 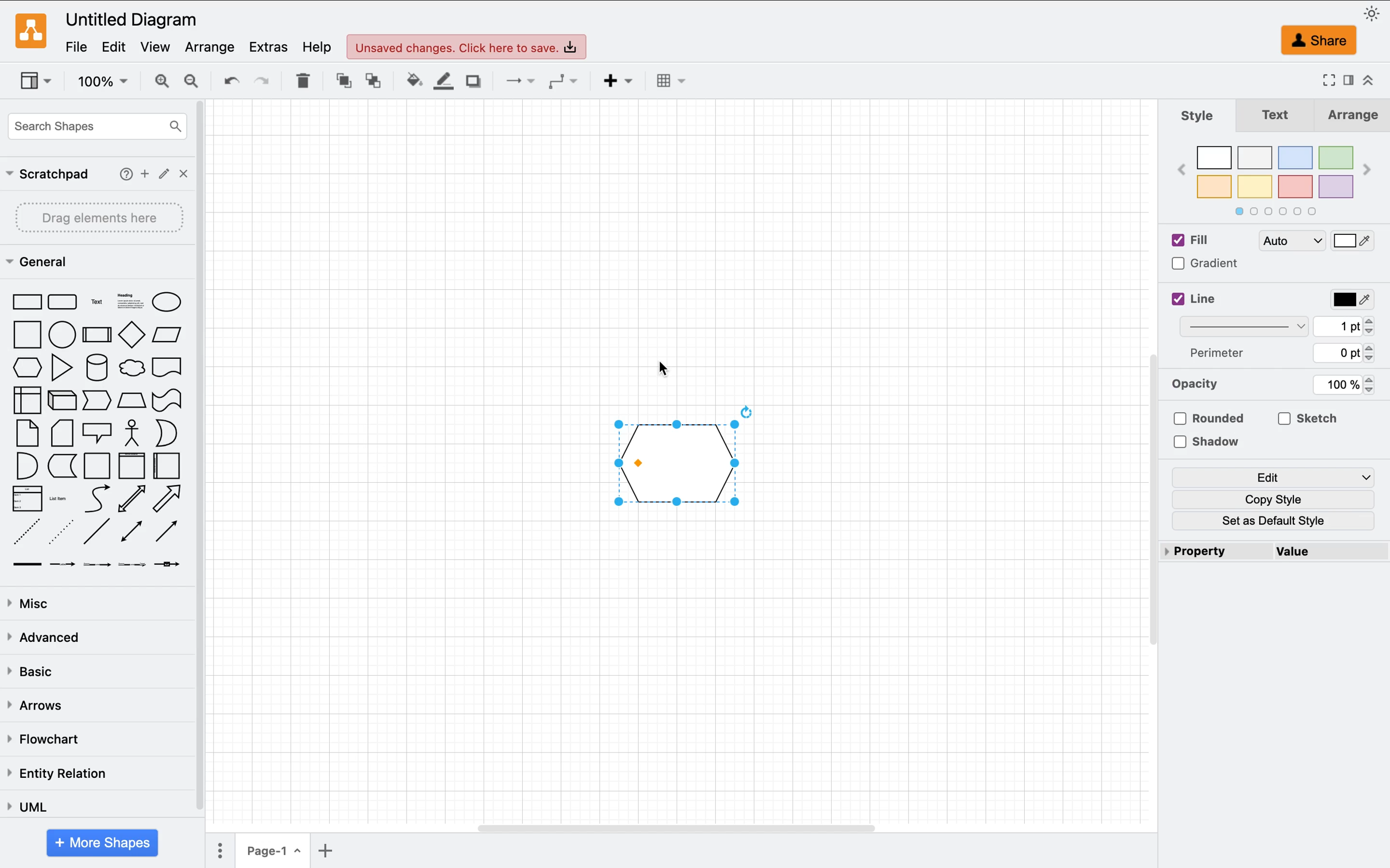 I want to click on connector with symbol, so click(x=175, y=568).